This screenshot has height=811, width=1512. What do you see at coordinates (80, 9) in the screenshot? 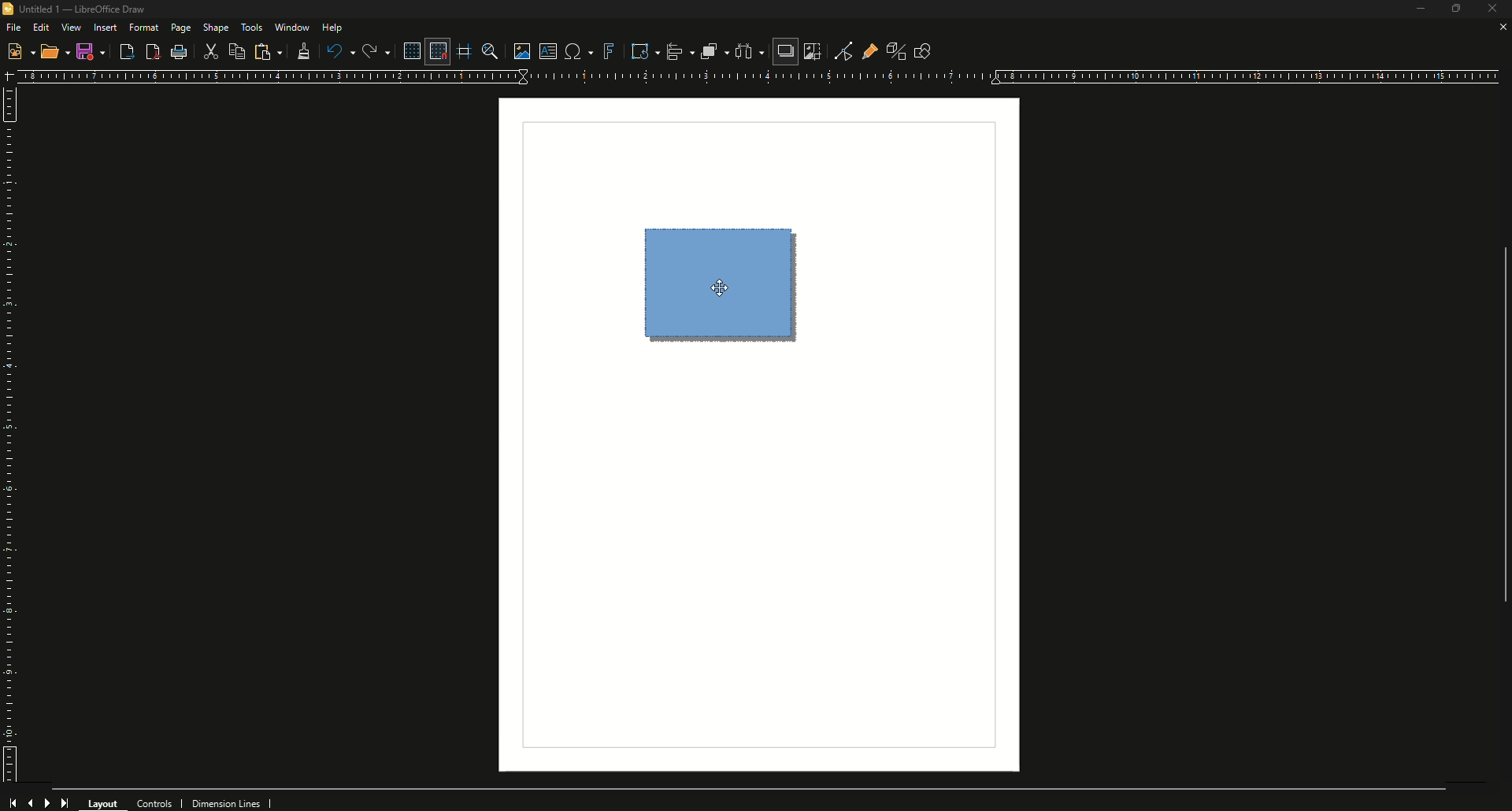
I see `Untitled 1 - LibreOffice Draw` at bounding box center [80, 9].